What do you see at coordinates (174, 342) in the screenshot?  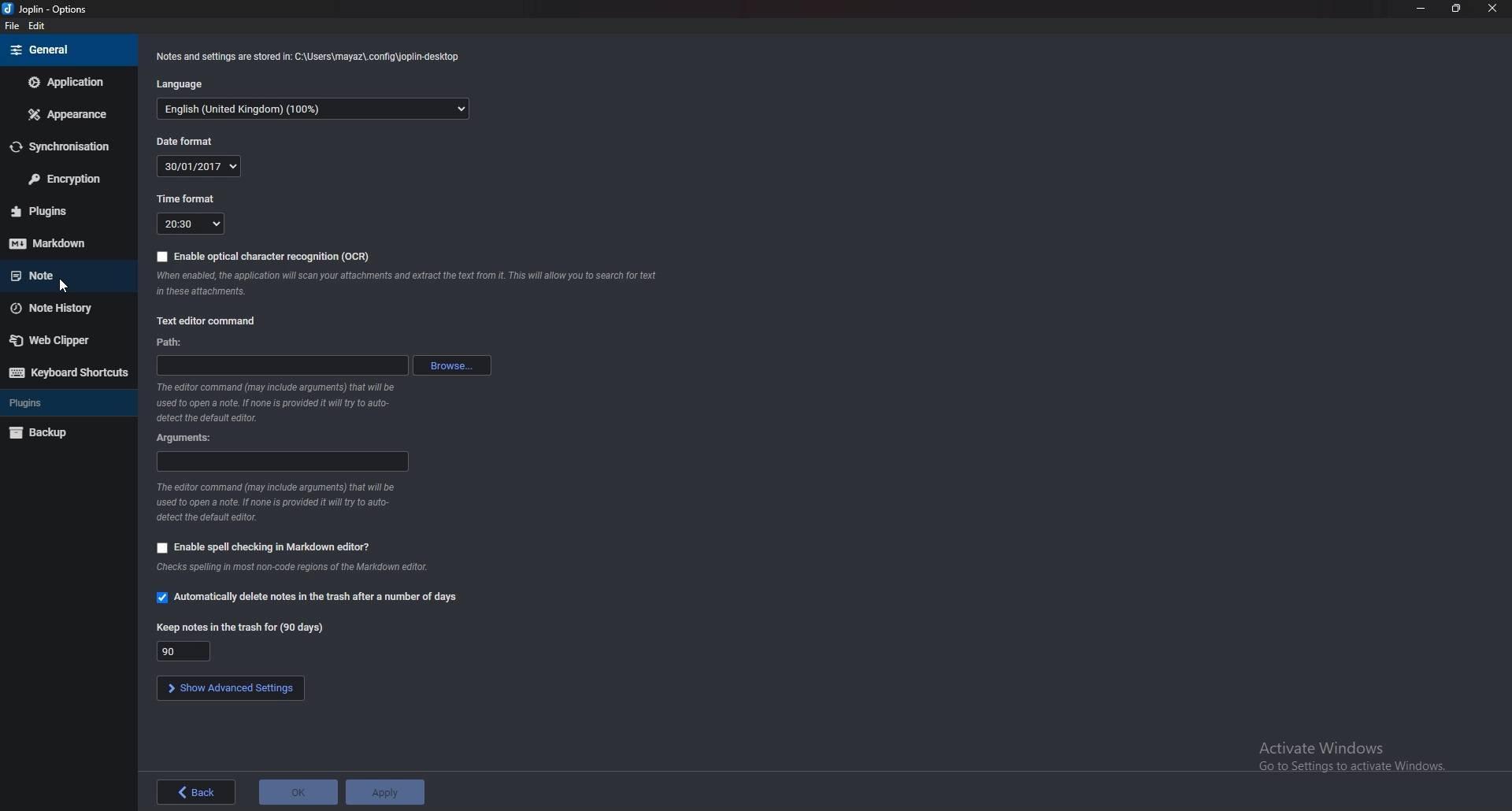 I see `path` at bounding box center [174, 342].